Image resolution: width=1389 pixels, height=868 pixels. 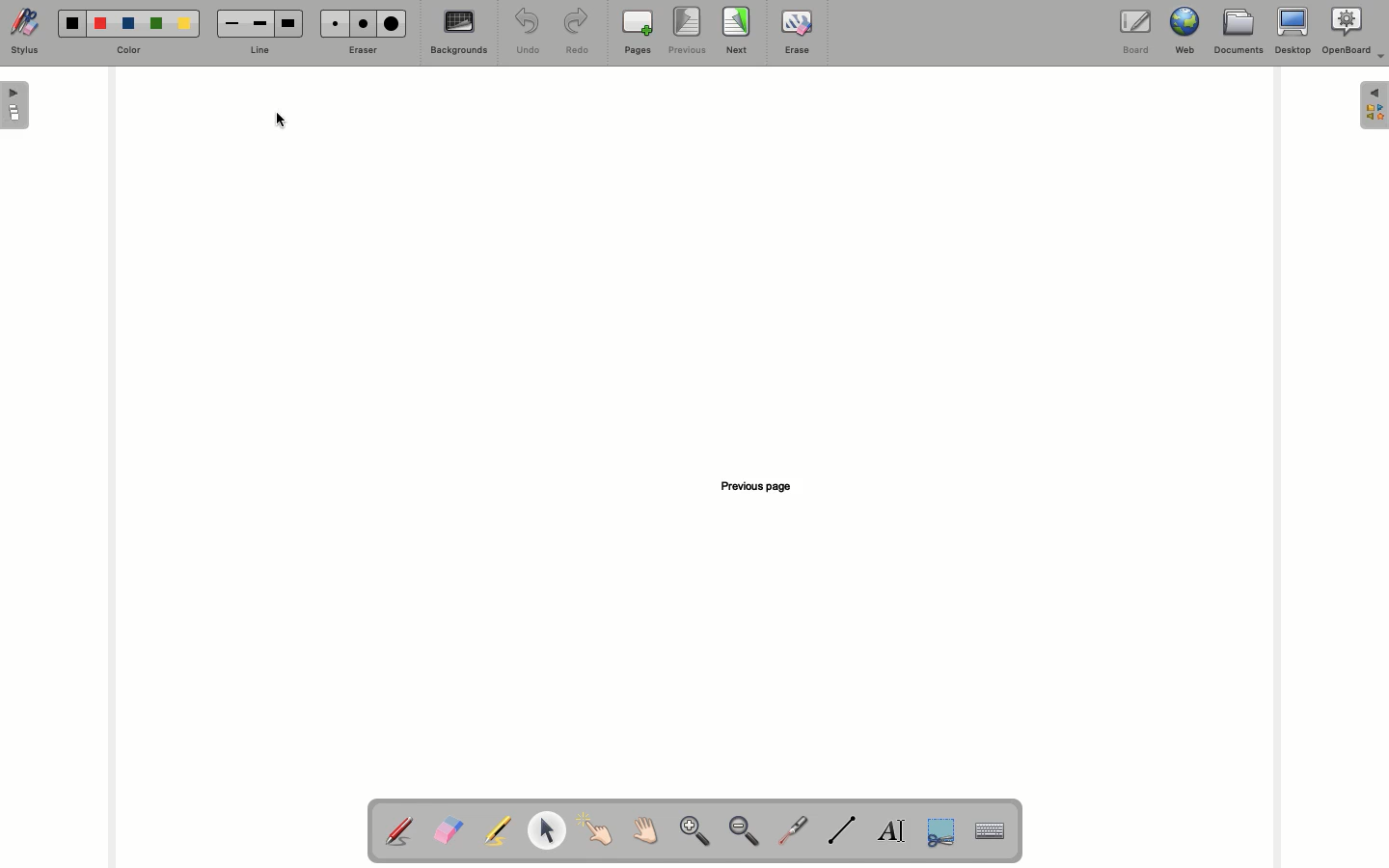 I want to click on Write text, so click(x=892, y=833).